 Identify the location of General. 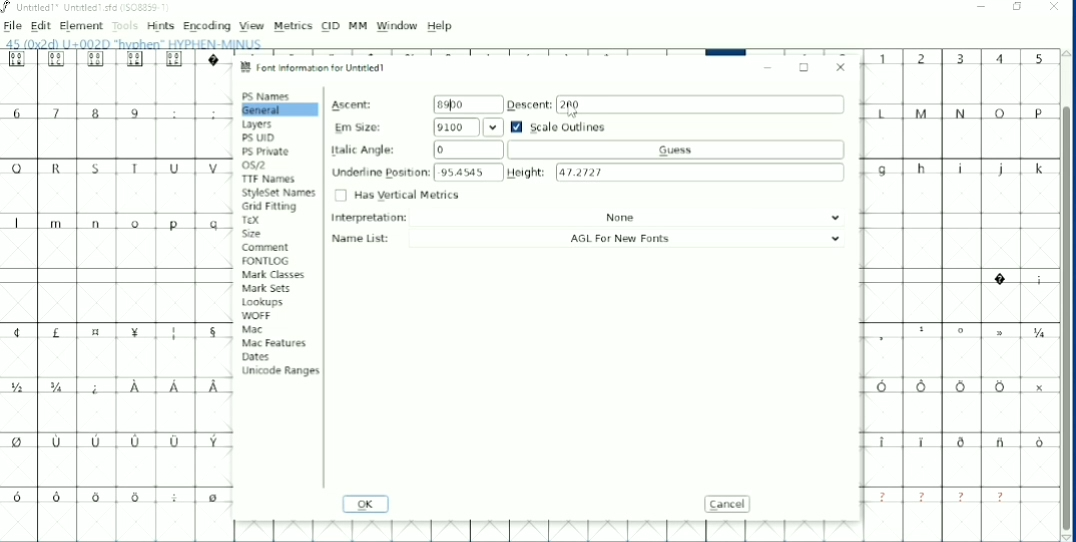
(278, 110).